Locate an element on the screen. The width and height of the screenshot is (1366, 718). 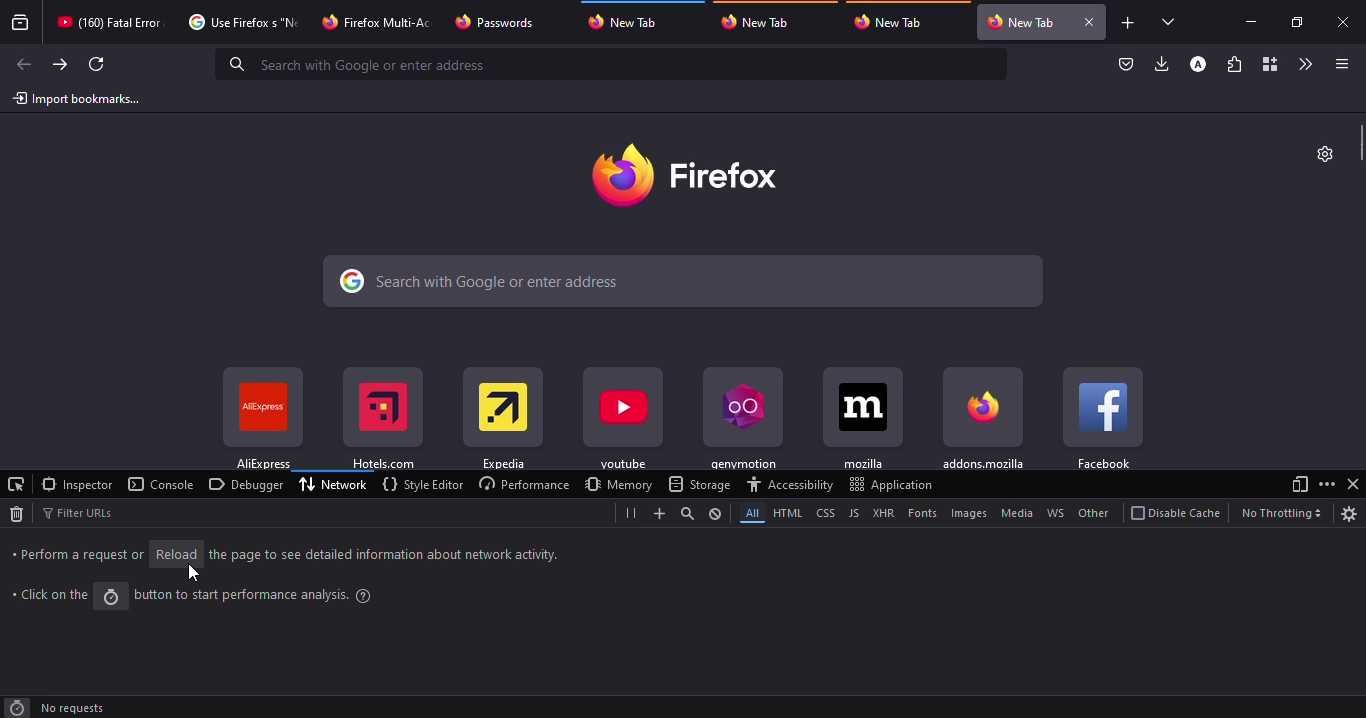
import bookmarks is located at coordinates (81, 97).